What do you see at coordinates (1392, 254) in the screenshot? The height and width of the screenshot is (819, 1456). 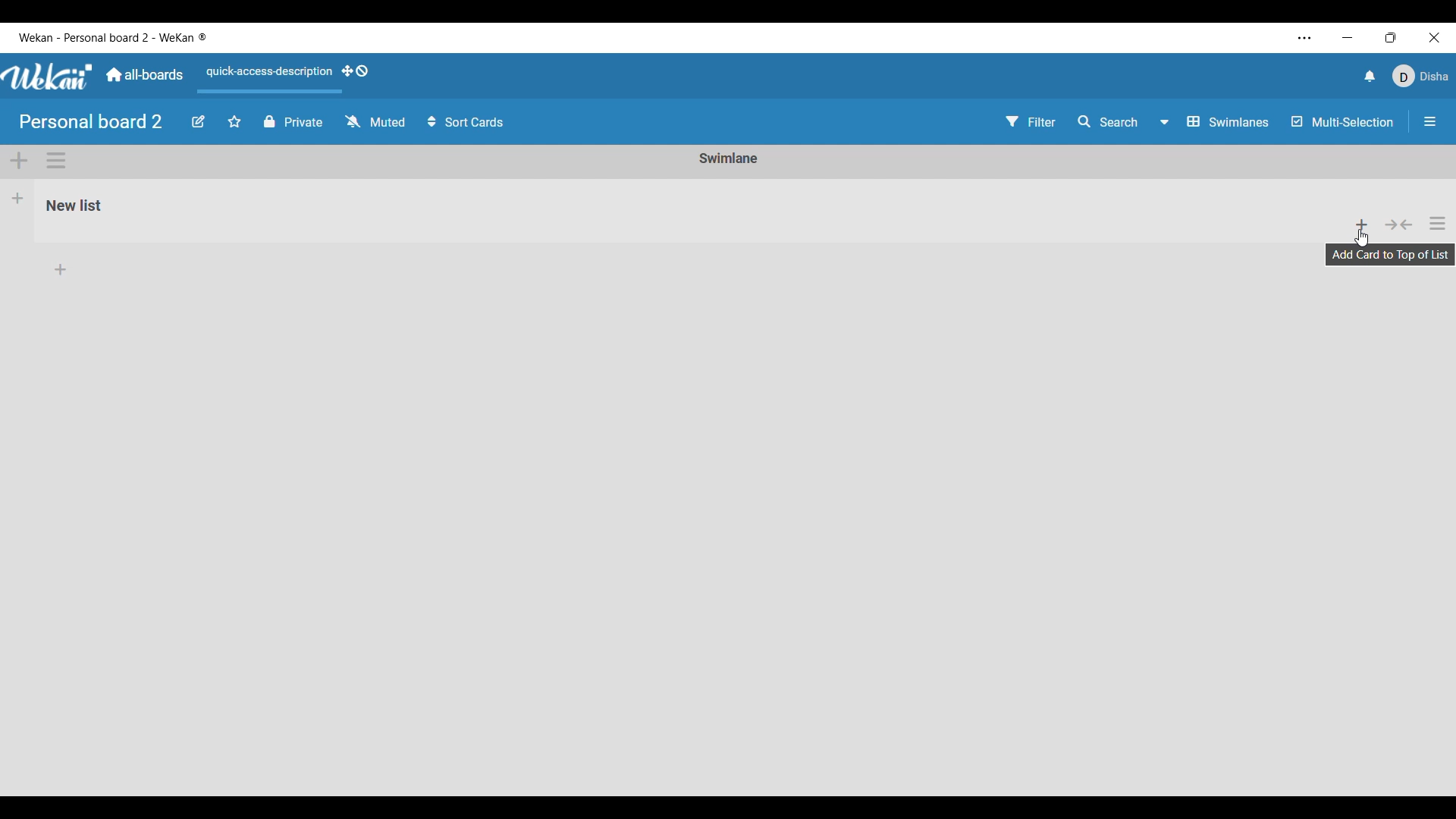 I see `Description of selected icon` at bounding box center [1392, 254].